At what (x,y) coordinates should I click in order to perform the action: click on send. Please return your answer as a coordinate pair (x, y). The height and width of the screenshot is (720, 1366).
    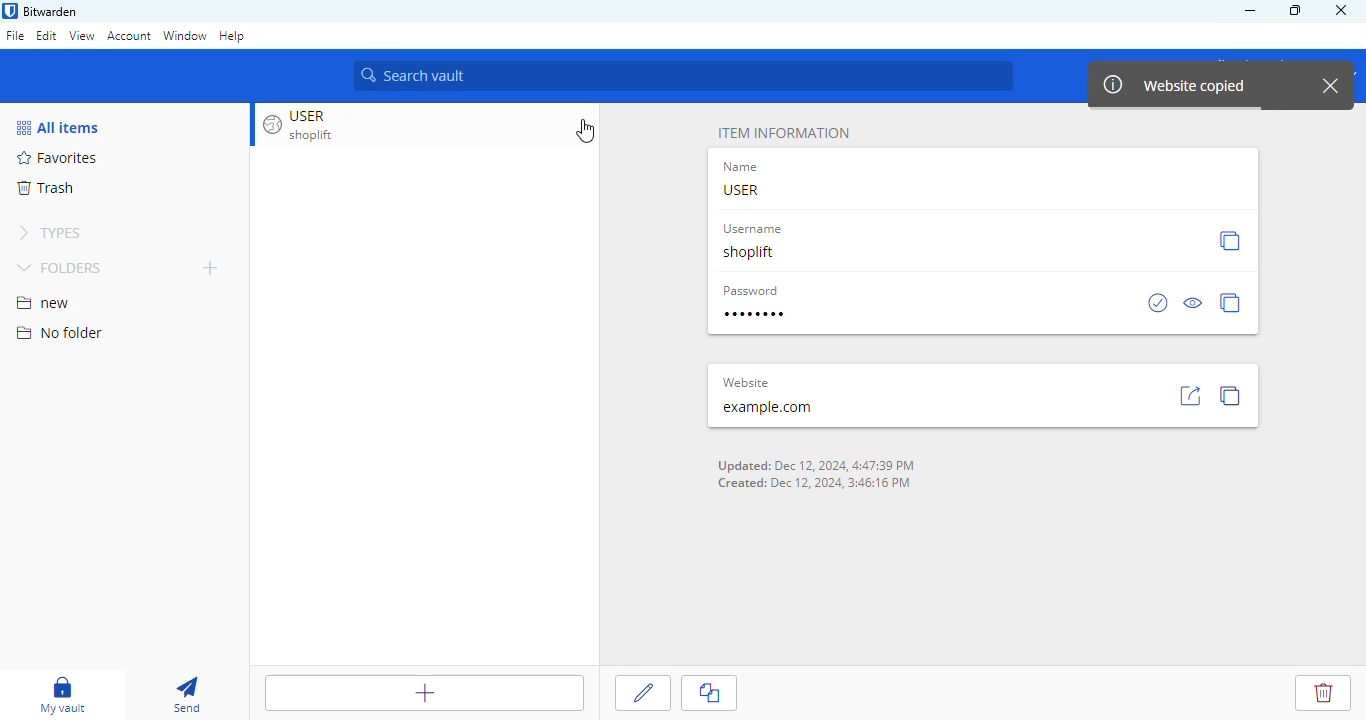
    Looking at the image, I should click on (187, 694).